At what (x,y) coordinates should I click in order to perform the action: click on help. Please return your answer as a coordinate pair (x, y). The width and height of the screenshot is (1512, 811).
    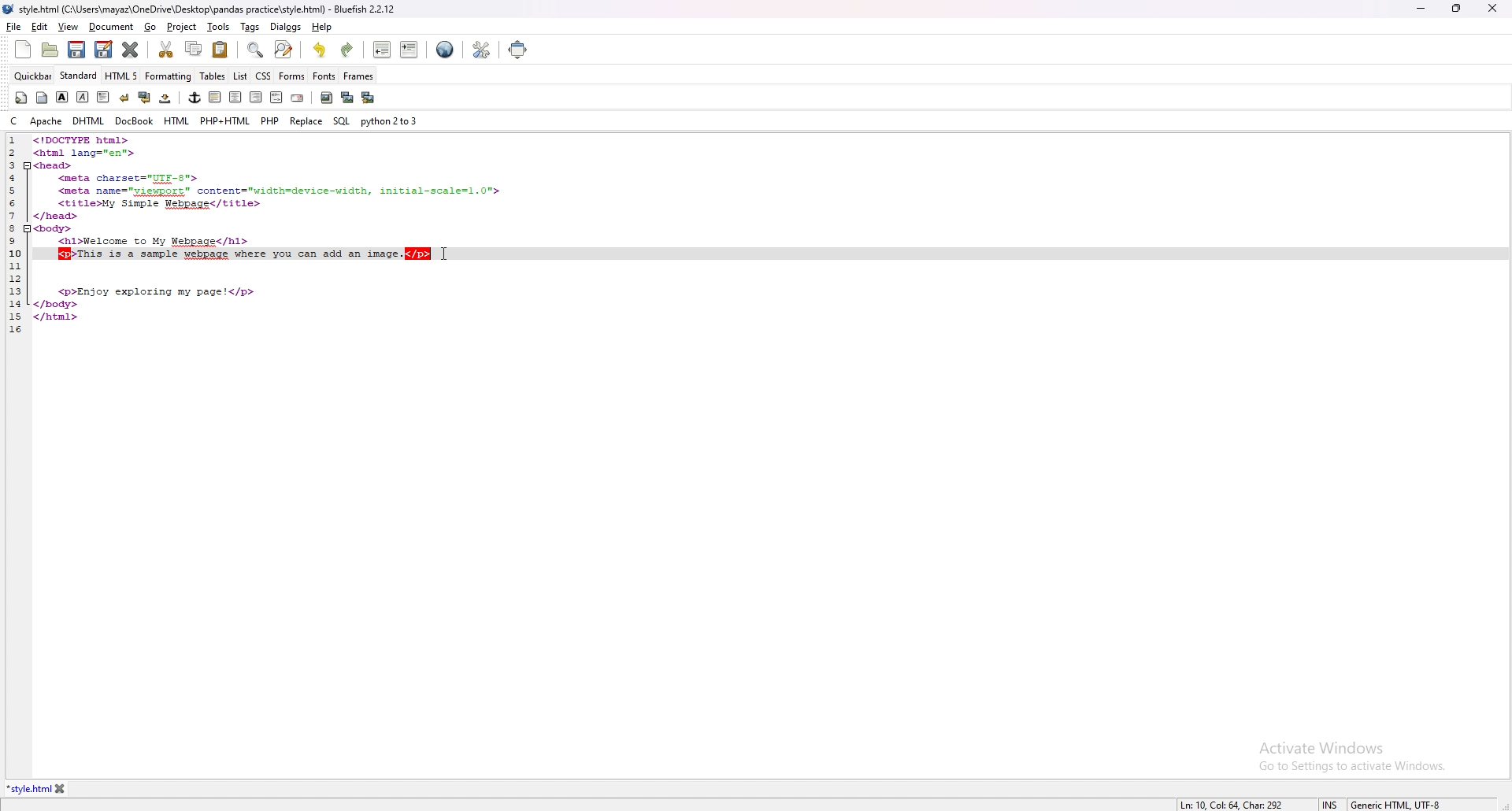
    Looking at the image, I should click on (323, 27).